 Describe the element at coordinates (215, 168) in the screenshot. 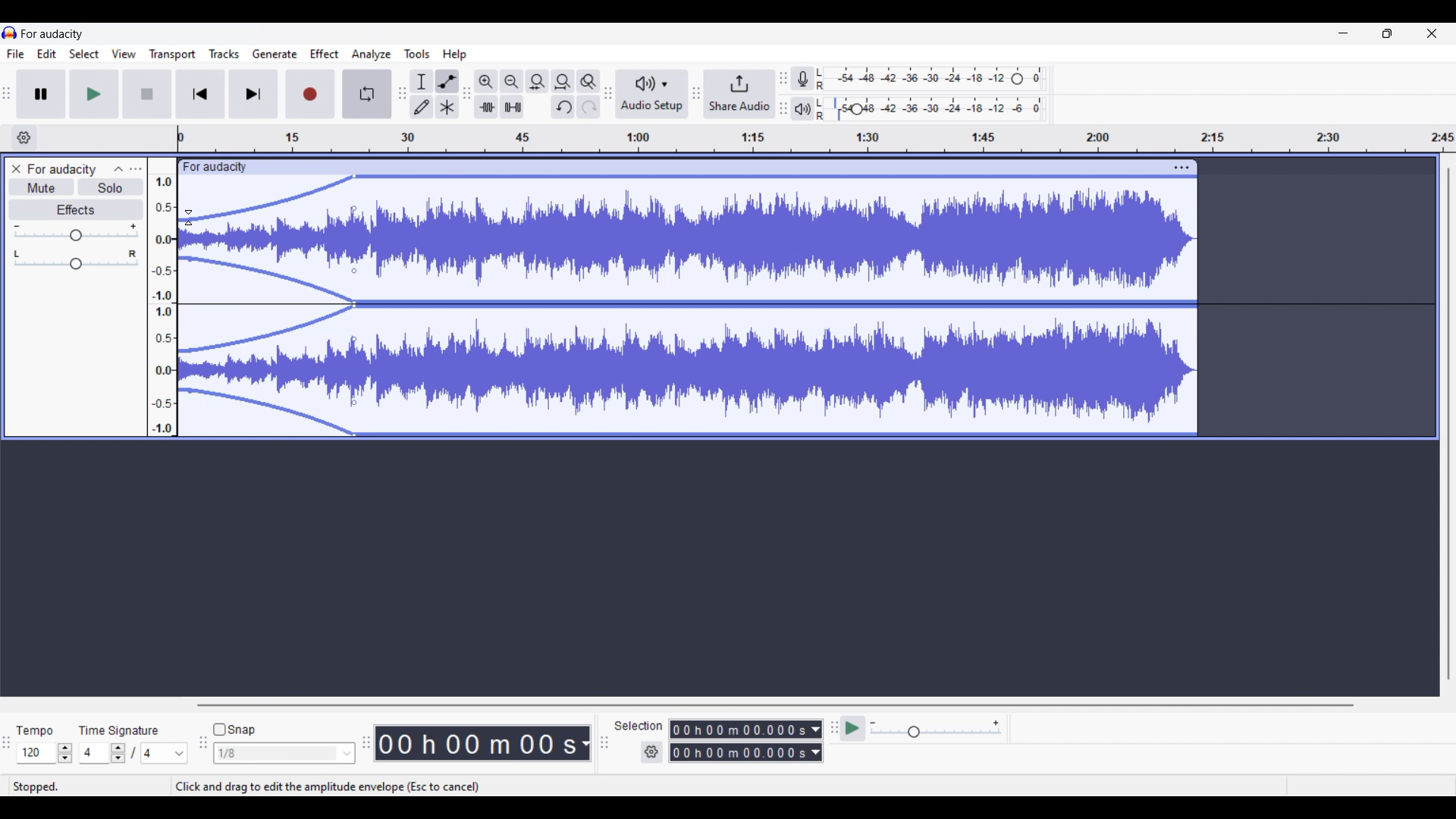

I see `for audacity` at that location.